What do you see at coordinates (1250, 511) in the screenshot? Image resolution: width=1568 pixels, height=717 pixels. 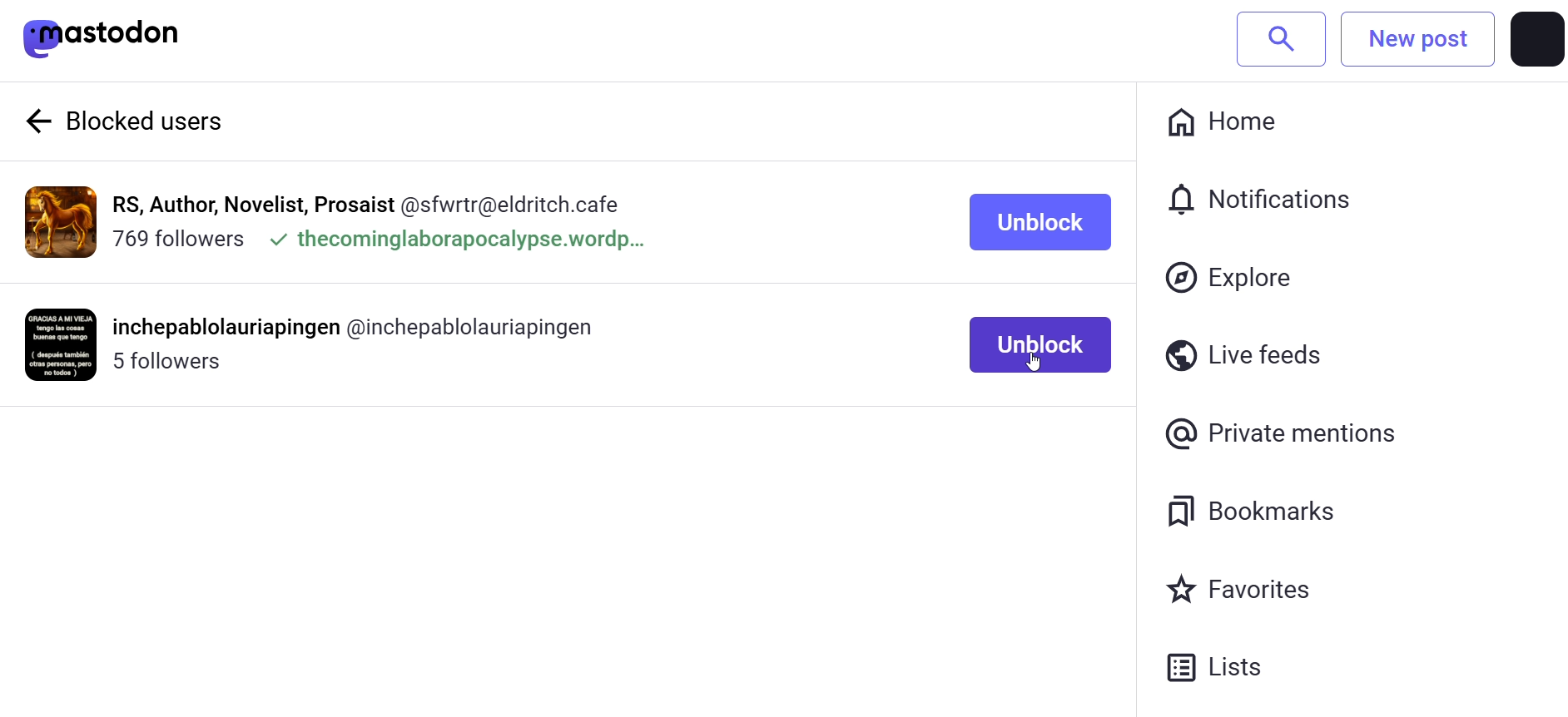 I see `bookmarks` at bounding box center [1250, 511].